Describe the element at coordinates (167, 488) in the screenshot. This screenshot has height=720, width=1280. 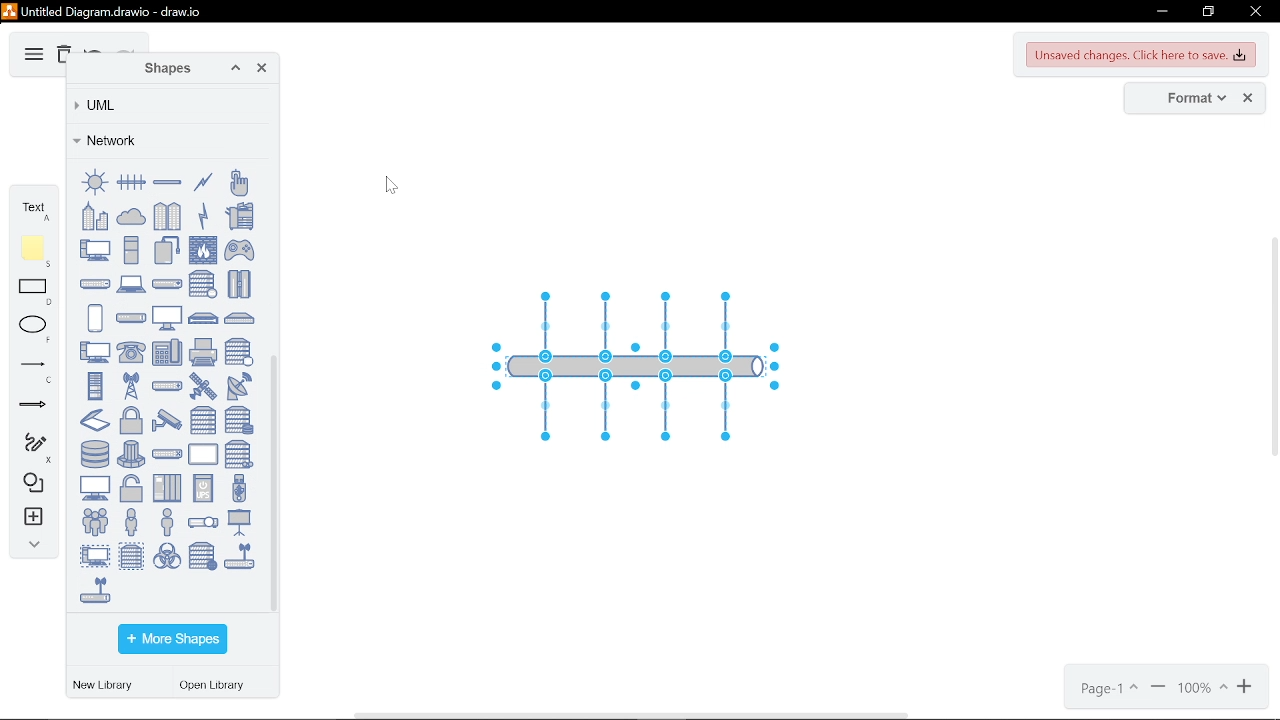
I see `UPS enterprise` at that location.